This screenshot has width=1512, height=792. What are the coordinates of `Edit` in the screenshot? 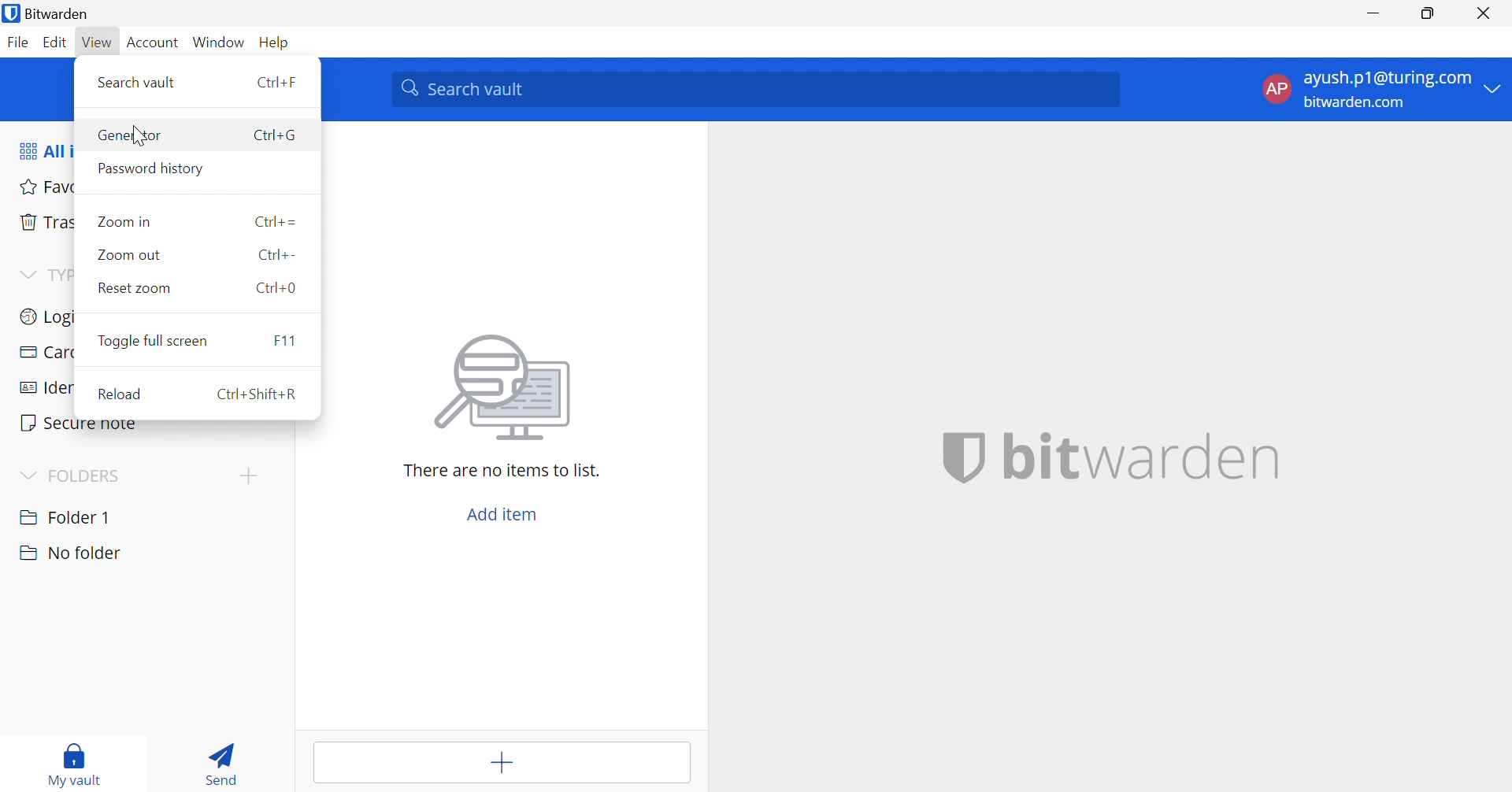 It's located at (57, 43).